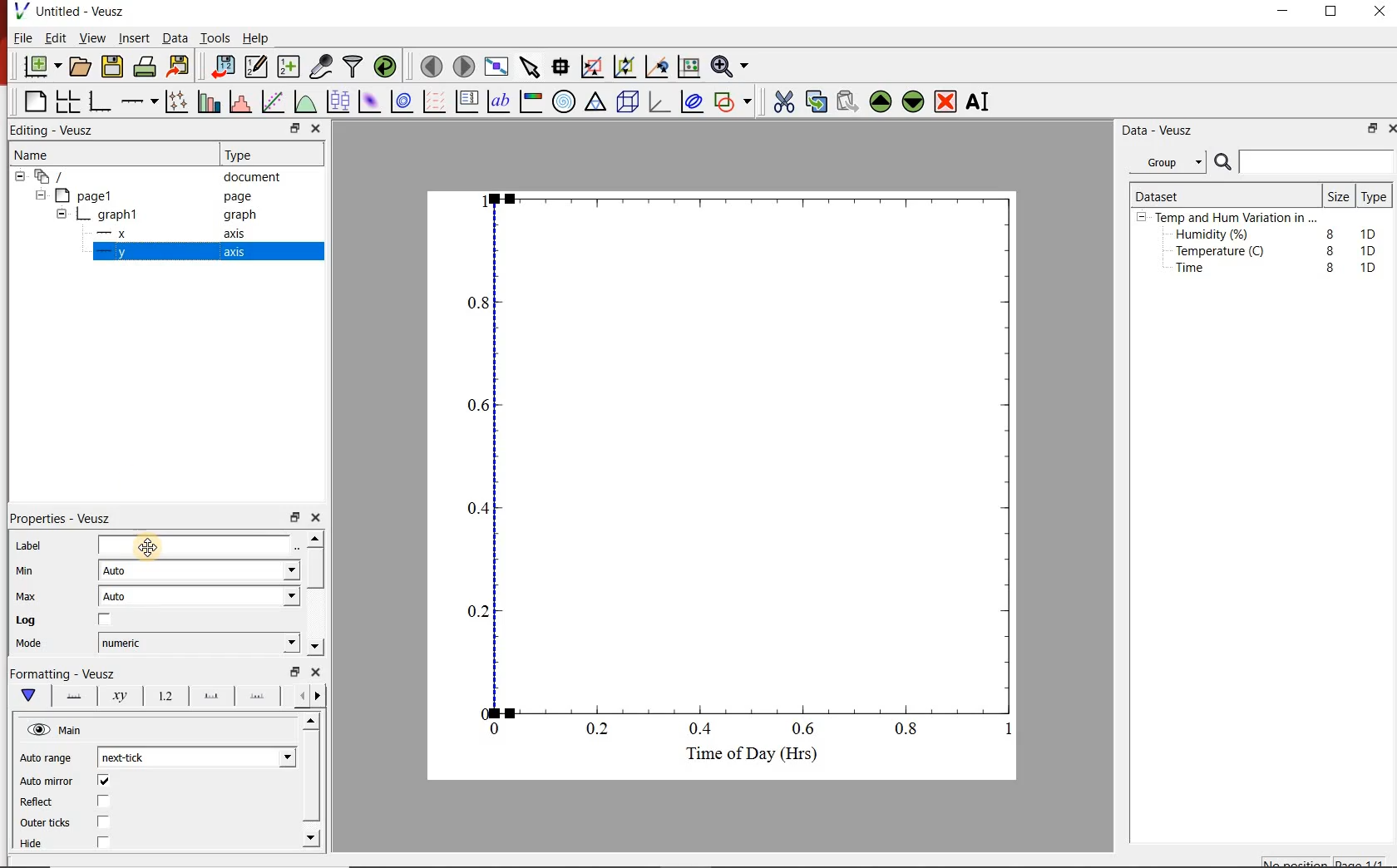 The width and height of the screenshot is (1397, 868). I want to click on Help, so click(257, 37).